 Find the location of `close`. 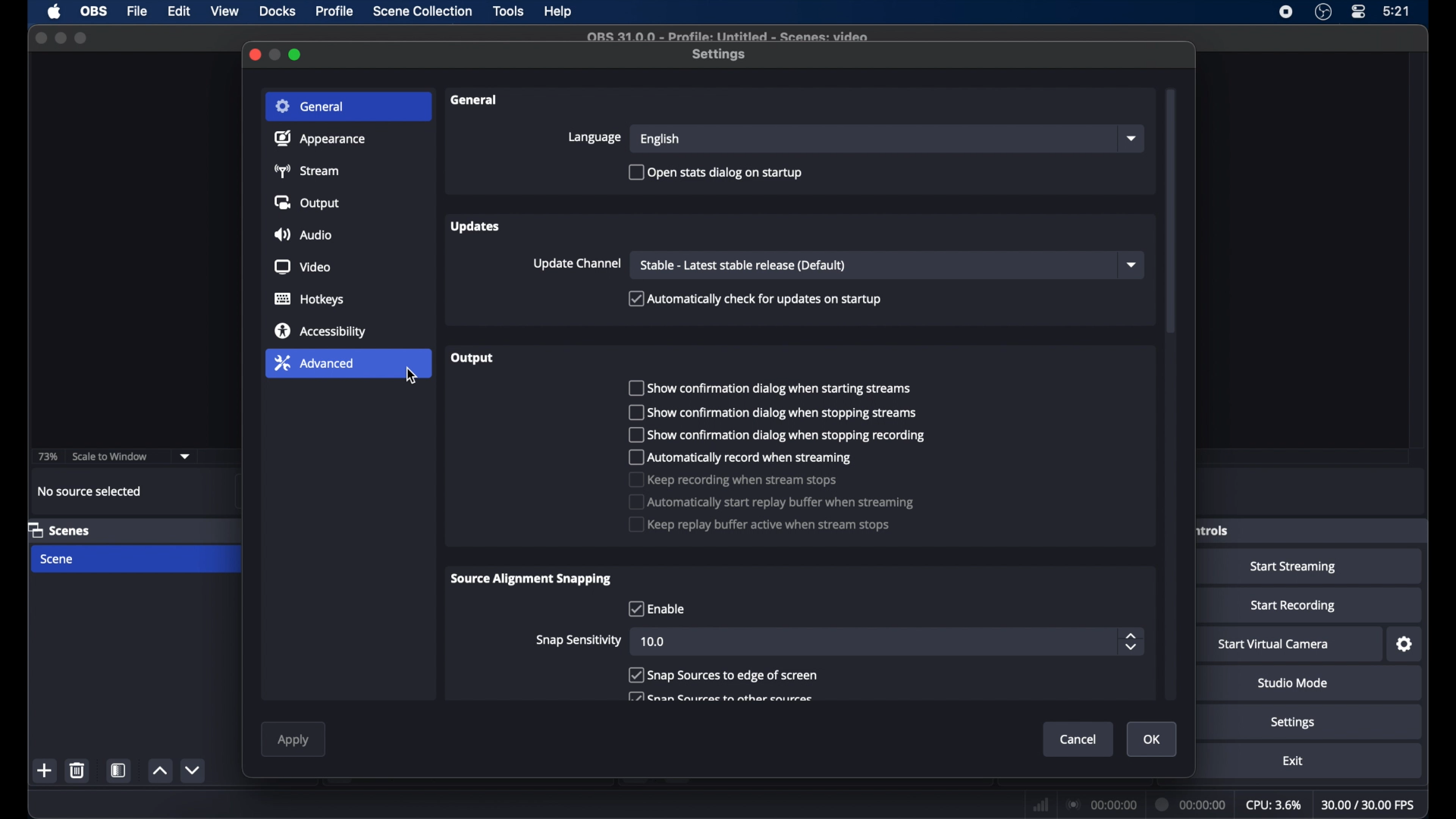

close is located at coordinates (41, 36).